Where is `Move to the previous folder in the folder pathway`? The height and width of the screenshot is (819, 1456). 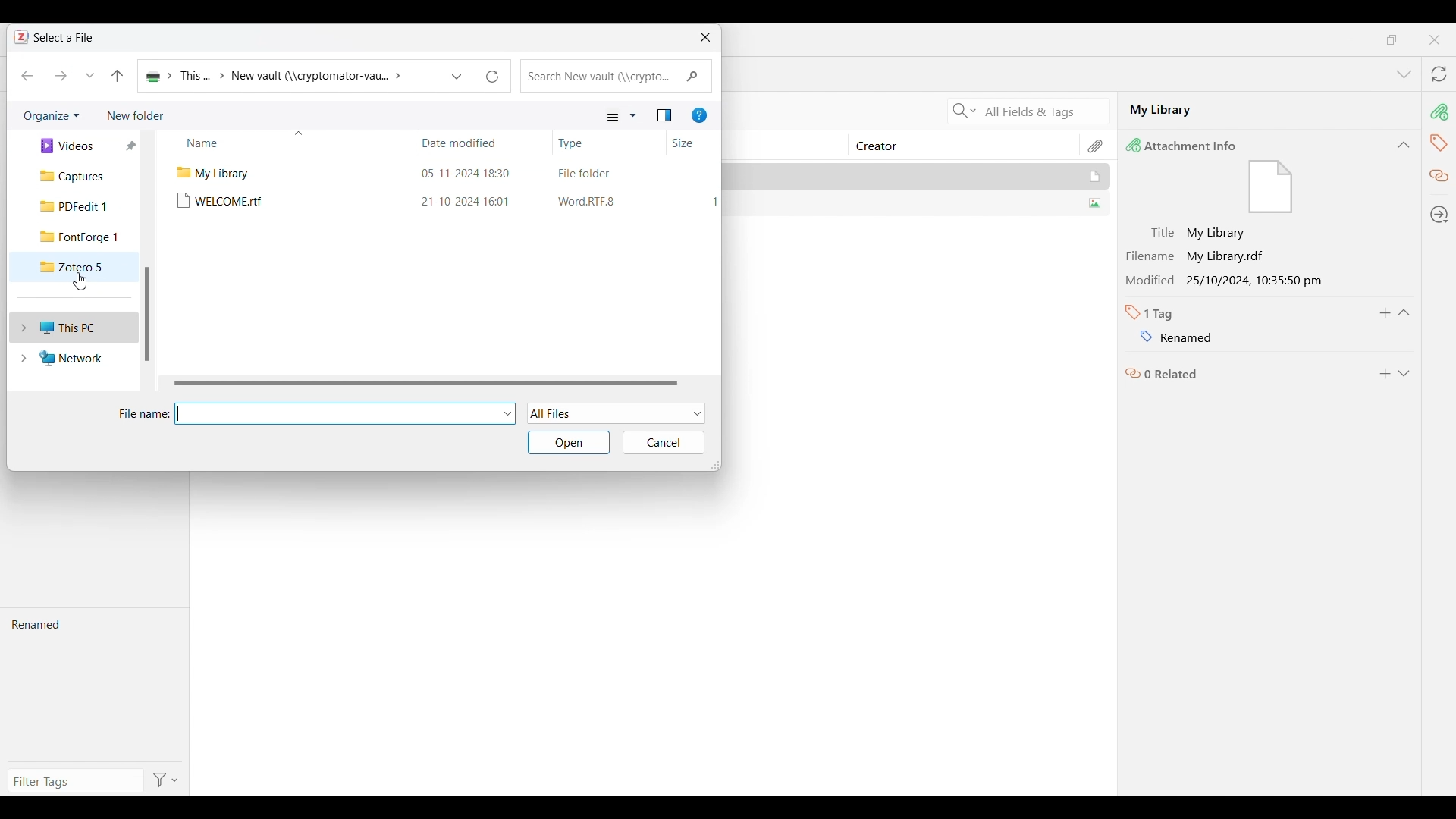 Move to the previous folder in the folder pathway is located at coordinates (118, 77).